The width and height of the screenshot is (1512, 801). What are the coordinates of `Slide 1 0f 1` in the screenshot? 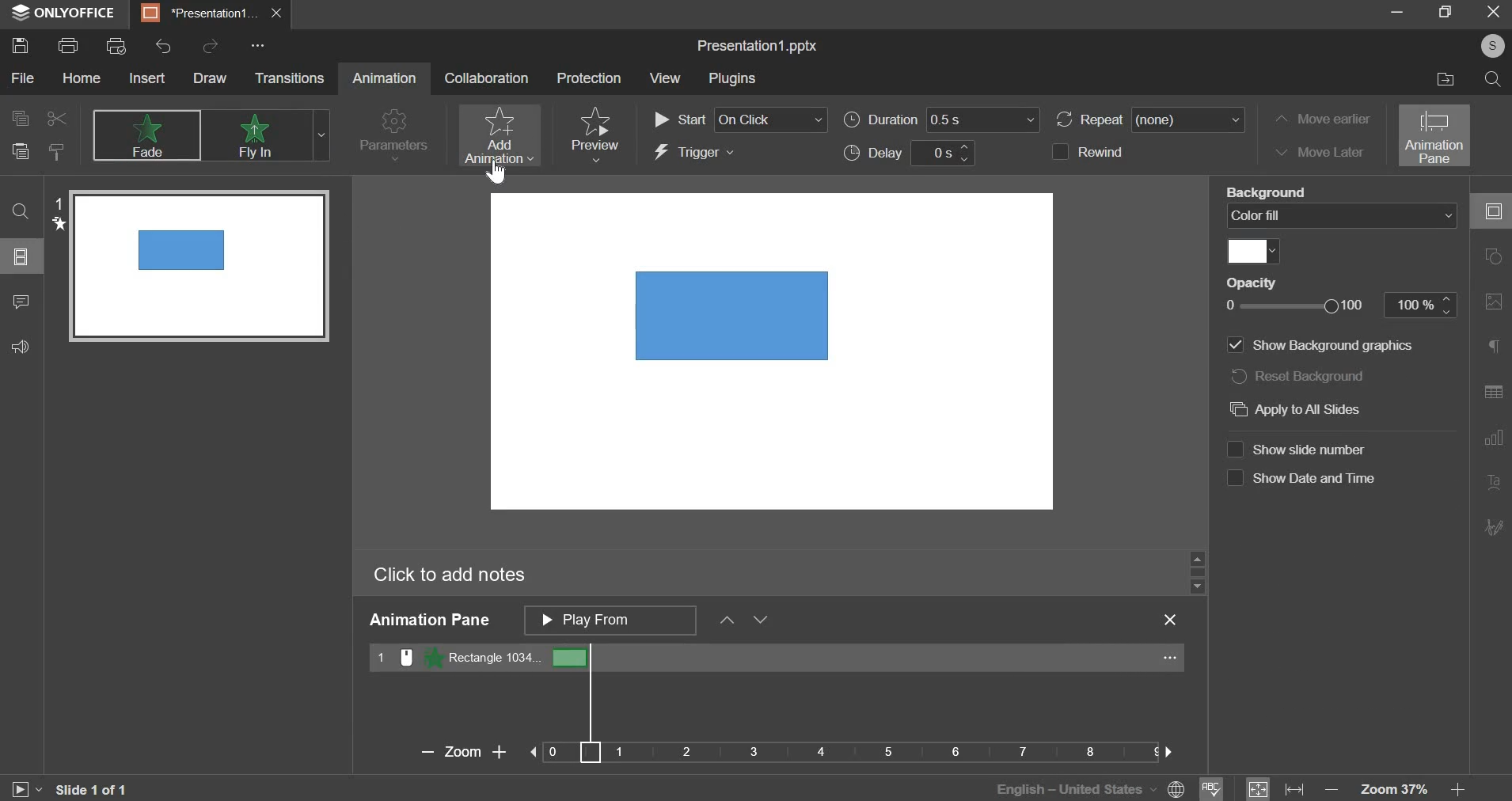 It's located at (74, 789).